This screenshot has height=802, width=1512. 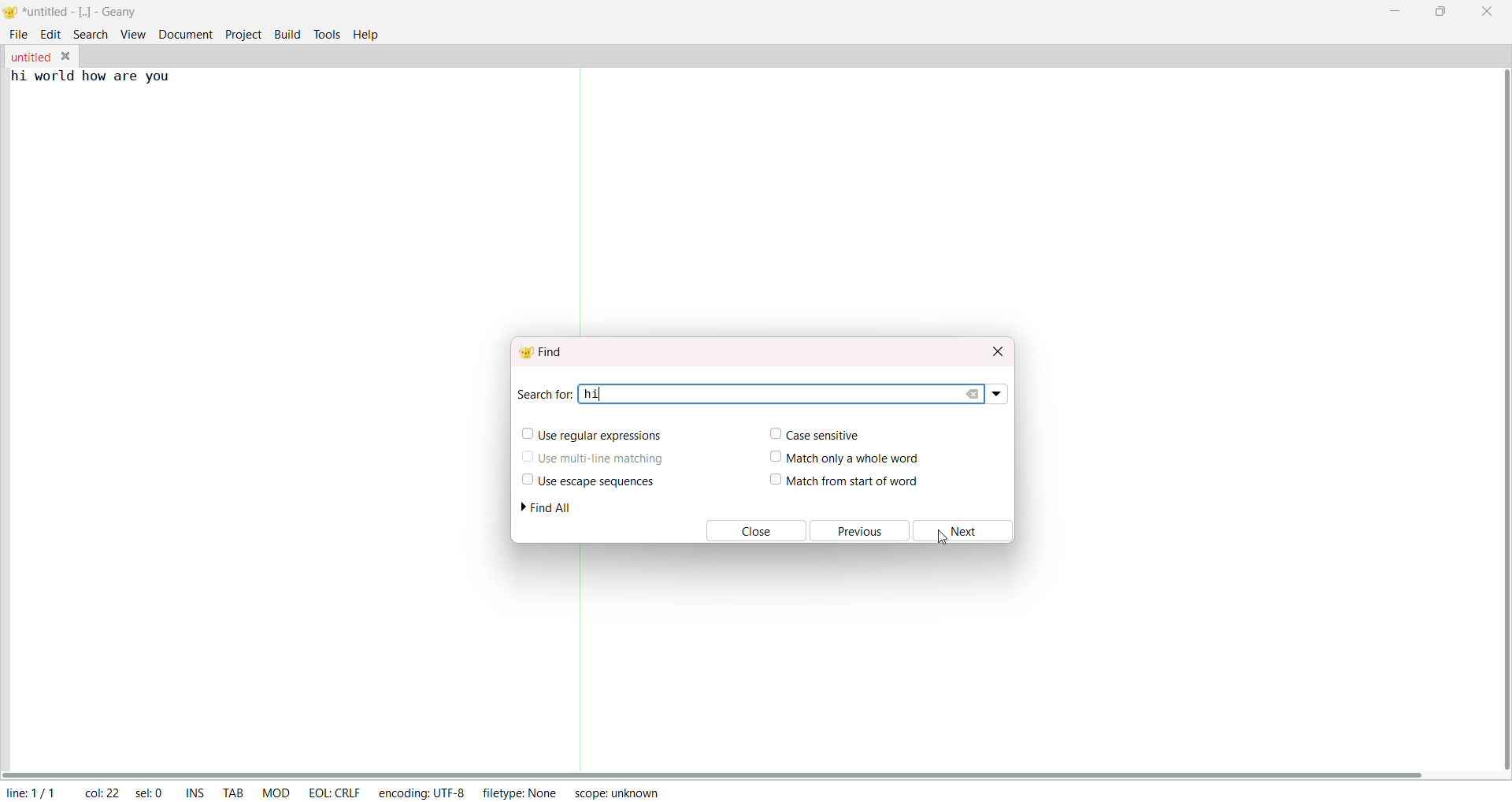 I want to click on match from start of word, so click(x=842, y=481).